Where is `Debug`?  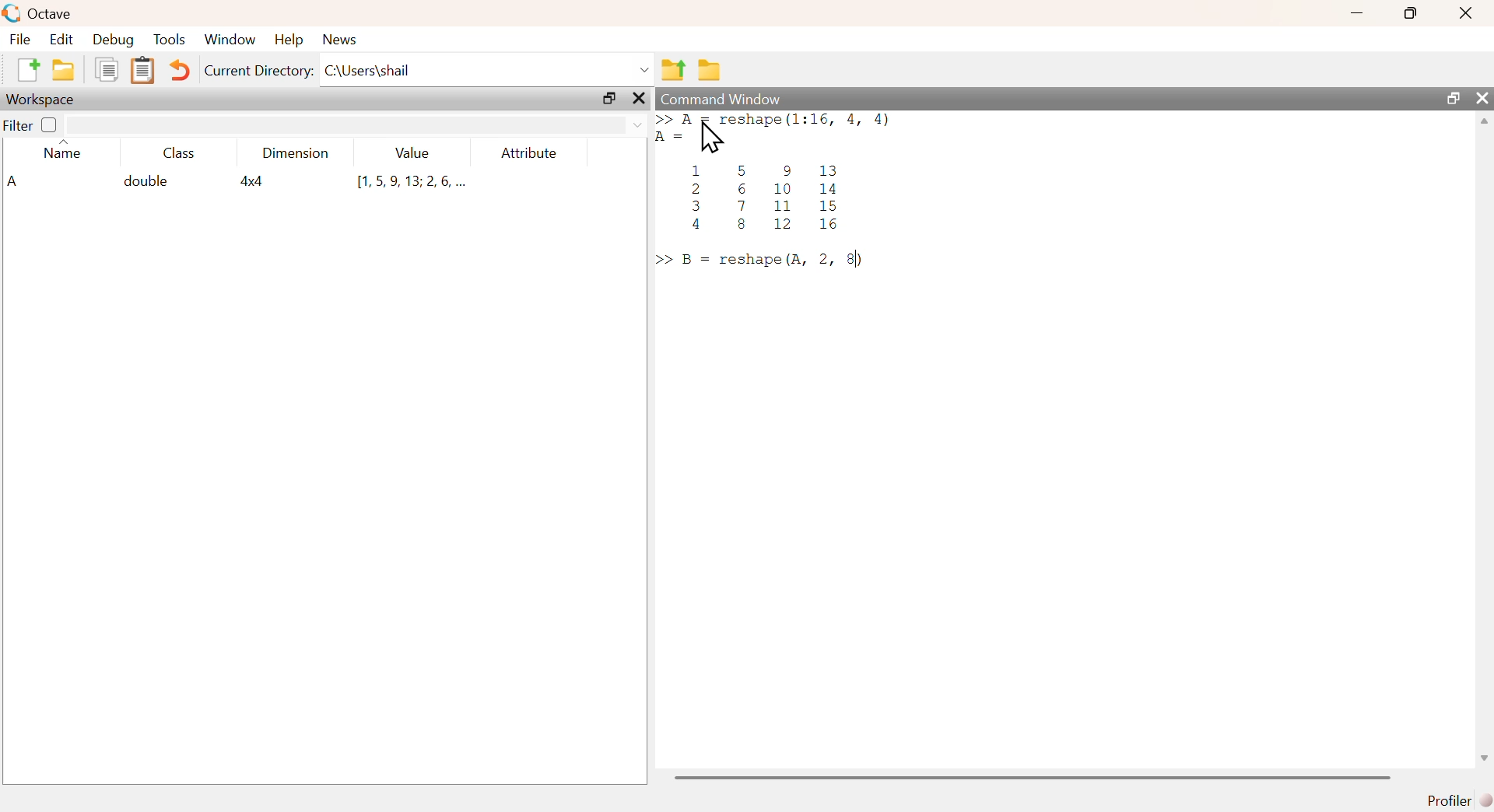
Debug is located at coordinates (113, 40).